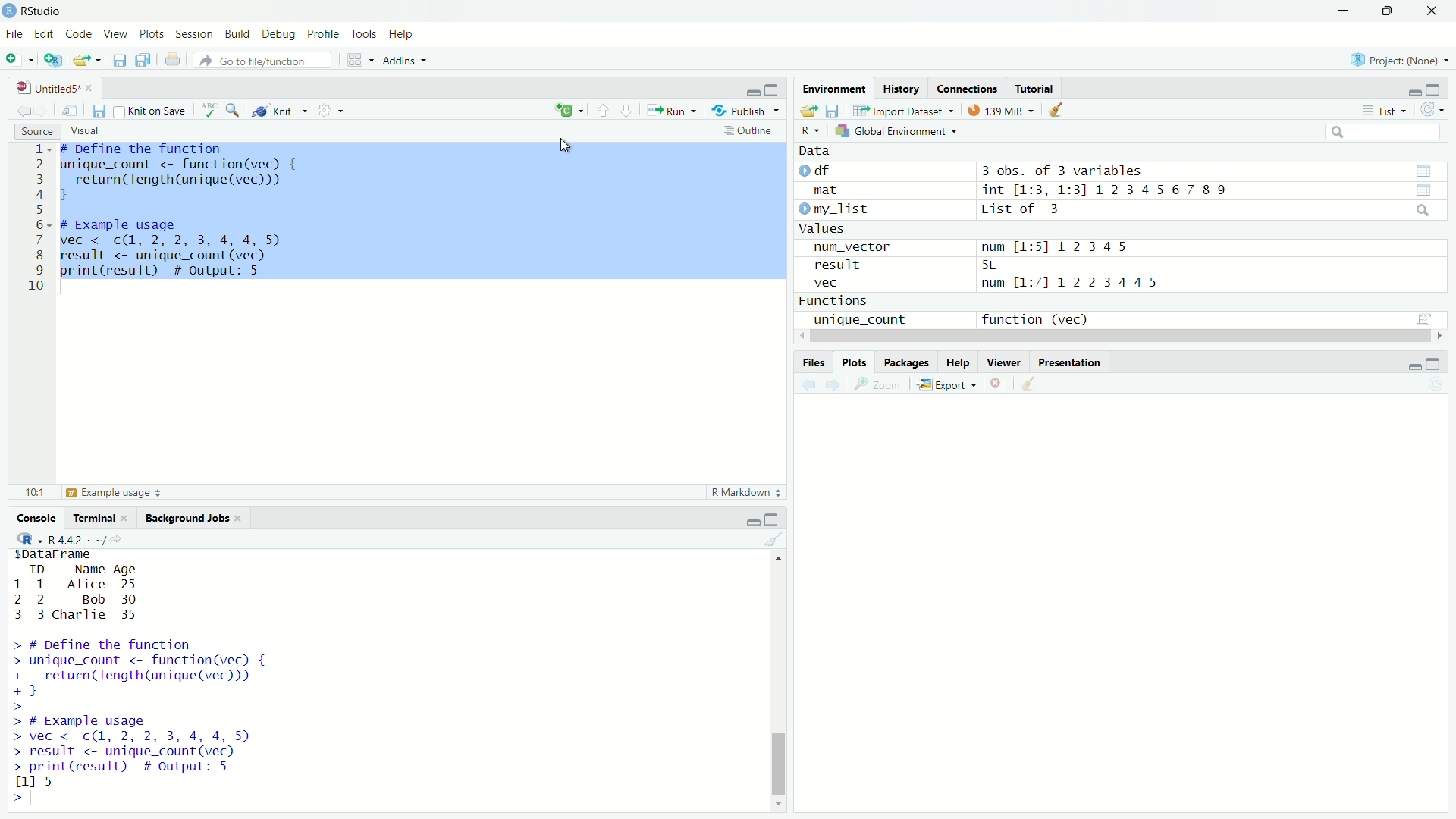 Image resolution: width=1456 pixels, height=819 pixels. I want to click on save, so click(121, 60).